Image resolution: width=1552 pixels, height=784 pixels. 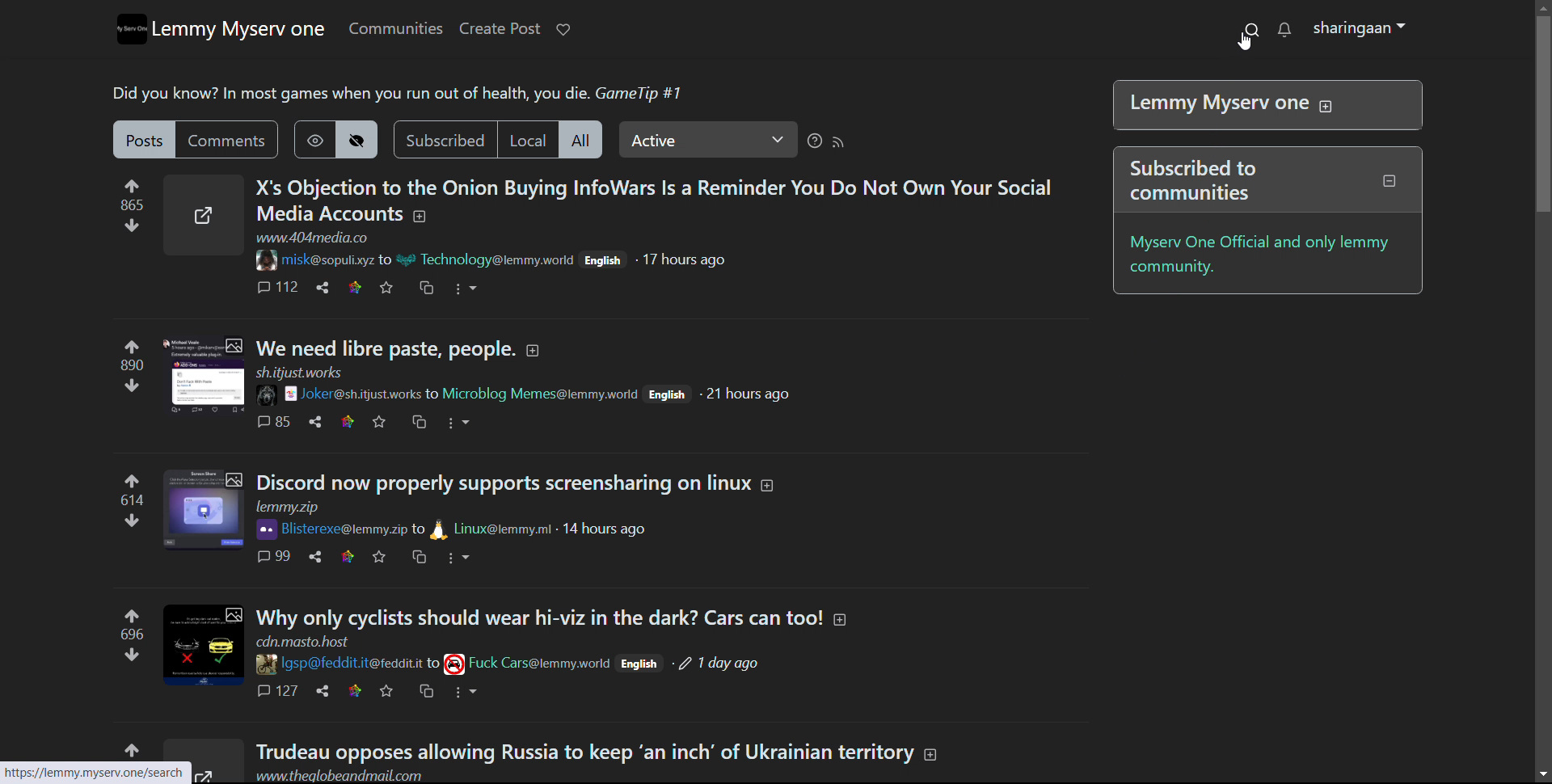 What do you see at coordinates (1285, 29) in the screenshot?
I see `notifications` at bounding box center [1285, 29].